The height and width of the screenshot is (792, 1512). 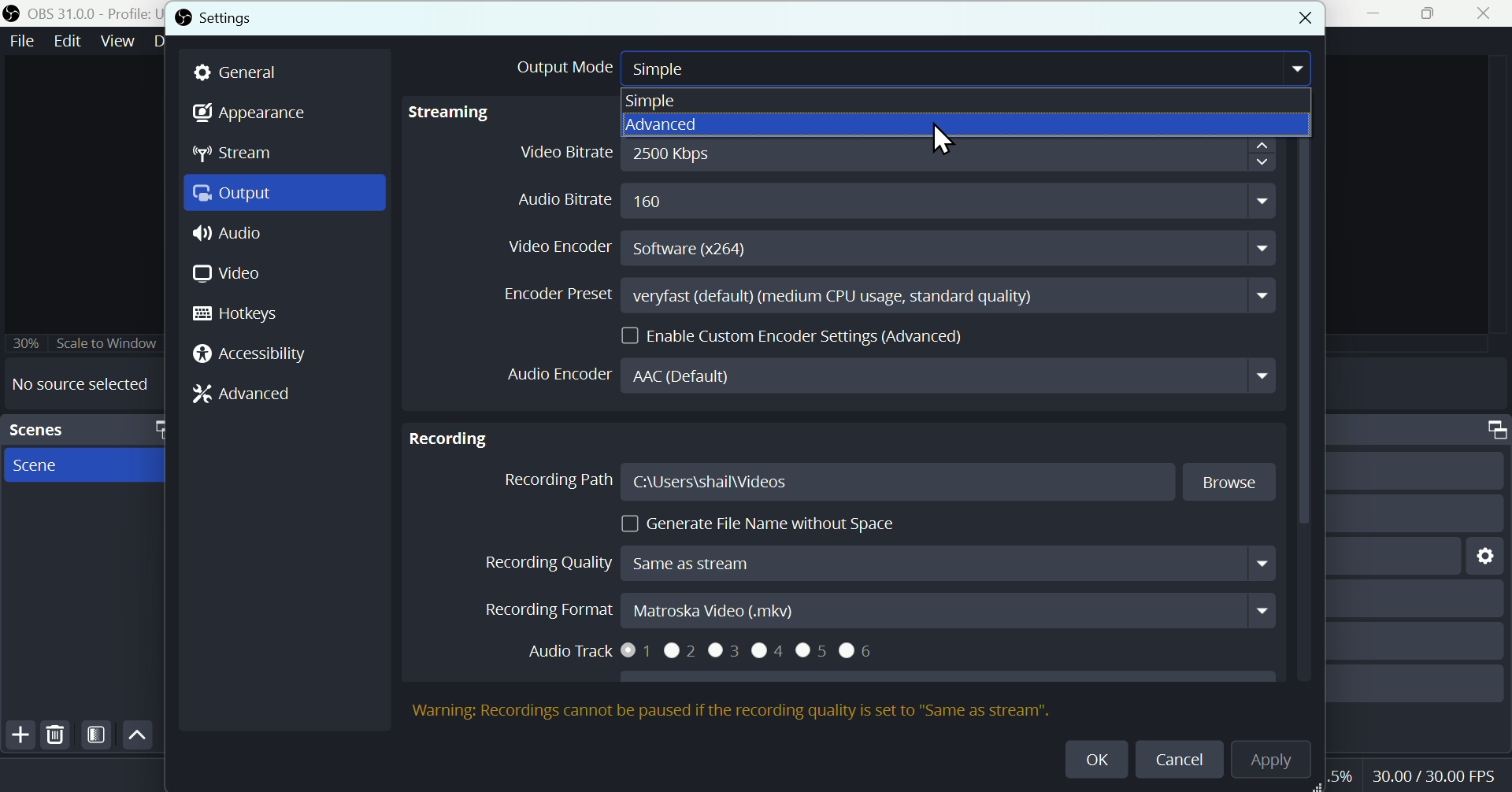 I want to click on 30% scale to window, so click(x=82, y=344).